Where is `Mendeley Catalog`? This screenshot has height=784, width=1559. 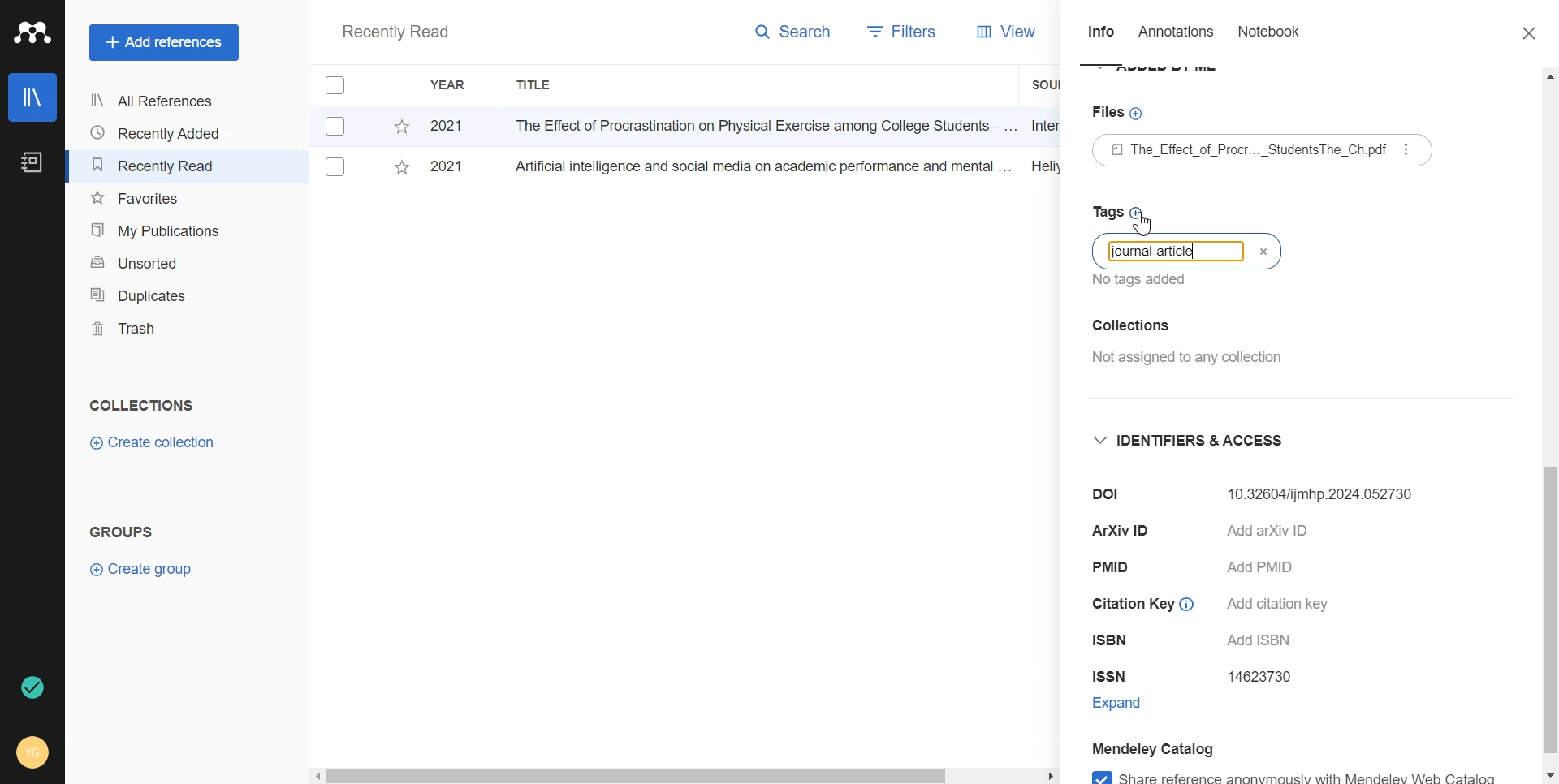
Mendeley Catalog is located at coordinates (1154, 747).